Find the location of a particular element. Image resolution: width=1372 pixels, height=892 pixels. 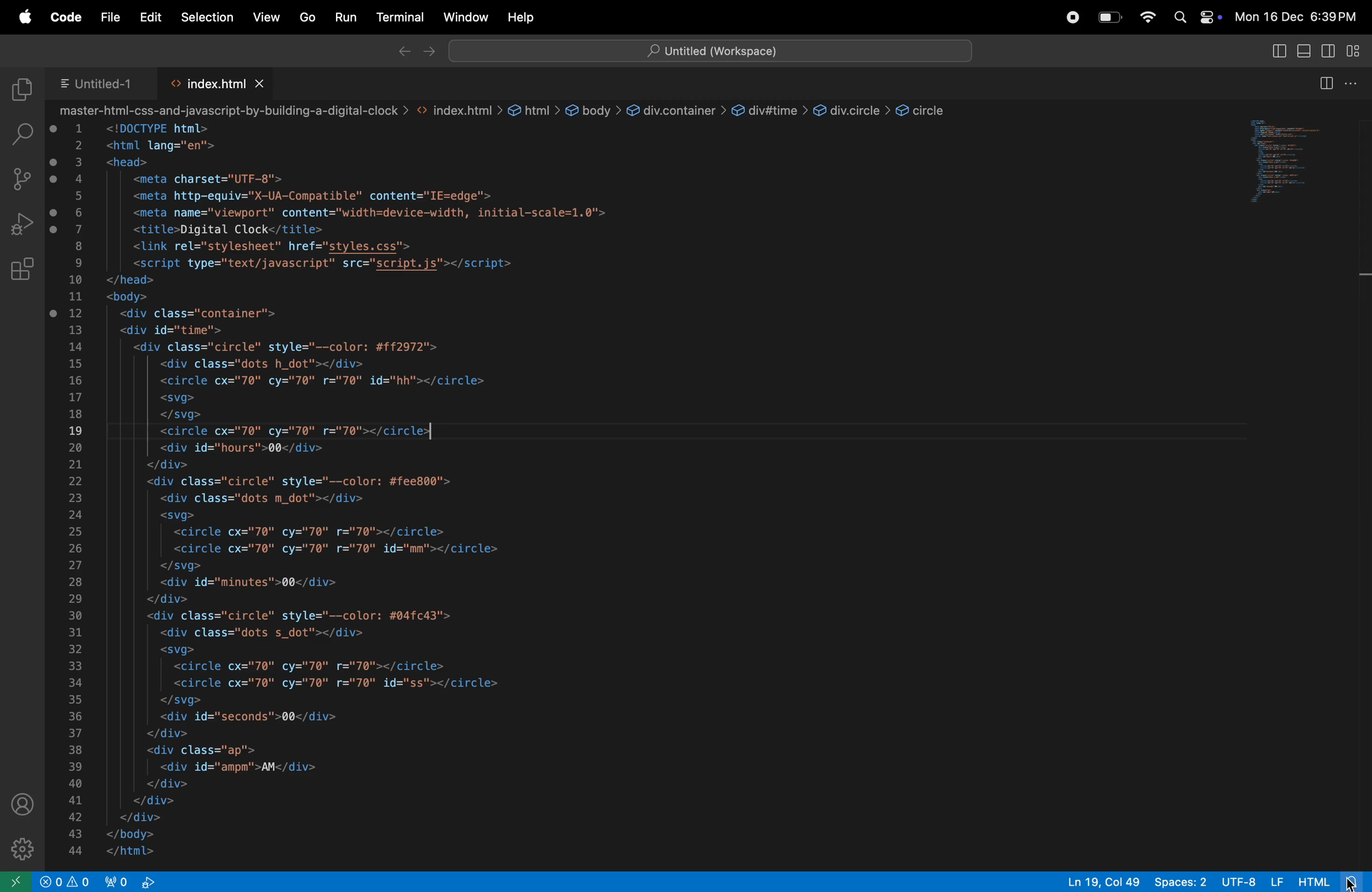

html  is located at coordinates (1311, 880).